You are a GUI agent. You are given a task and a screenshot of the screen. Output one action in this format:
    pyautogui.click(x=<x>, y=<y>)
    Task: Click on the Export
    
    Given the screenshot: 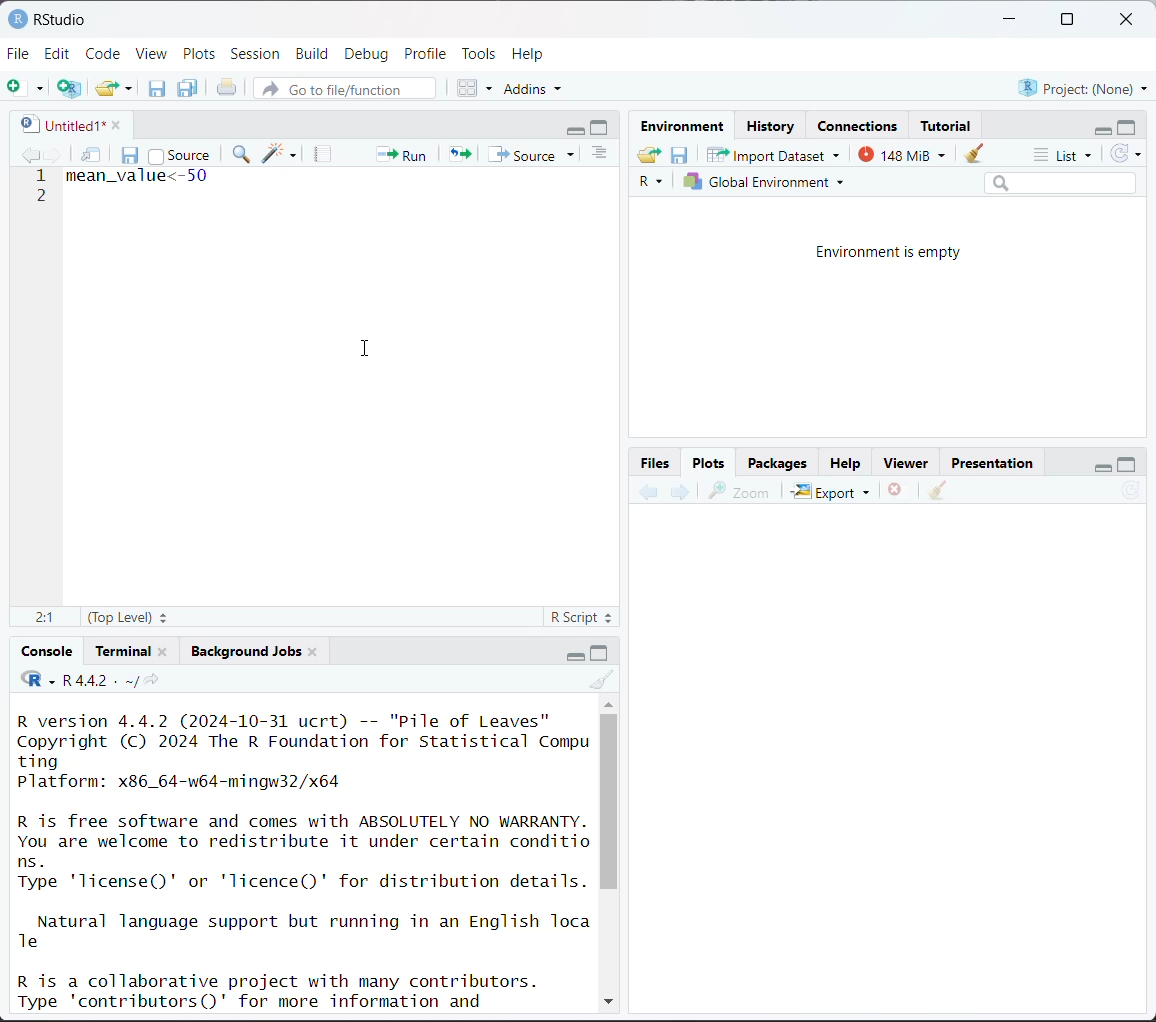 What is the action you would take?
    pyautogui.click(x=832, y=491)
    